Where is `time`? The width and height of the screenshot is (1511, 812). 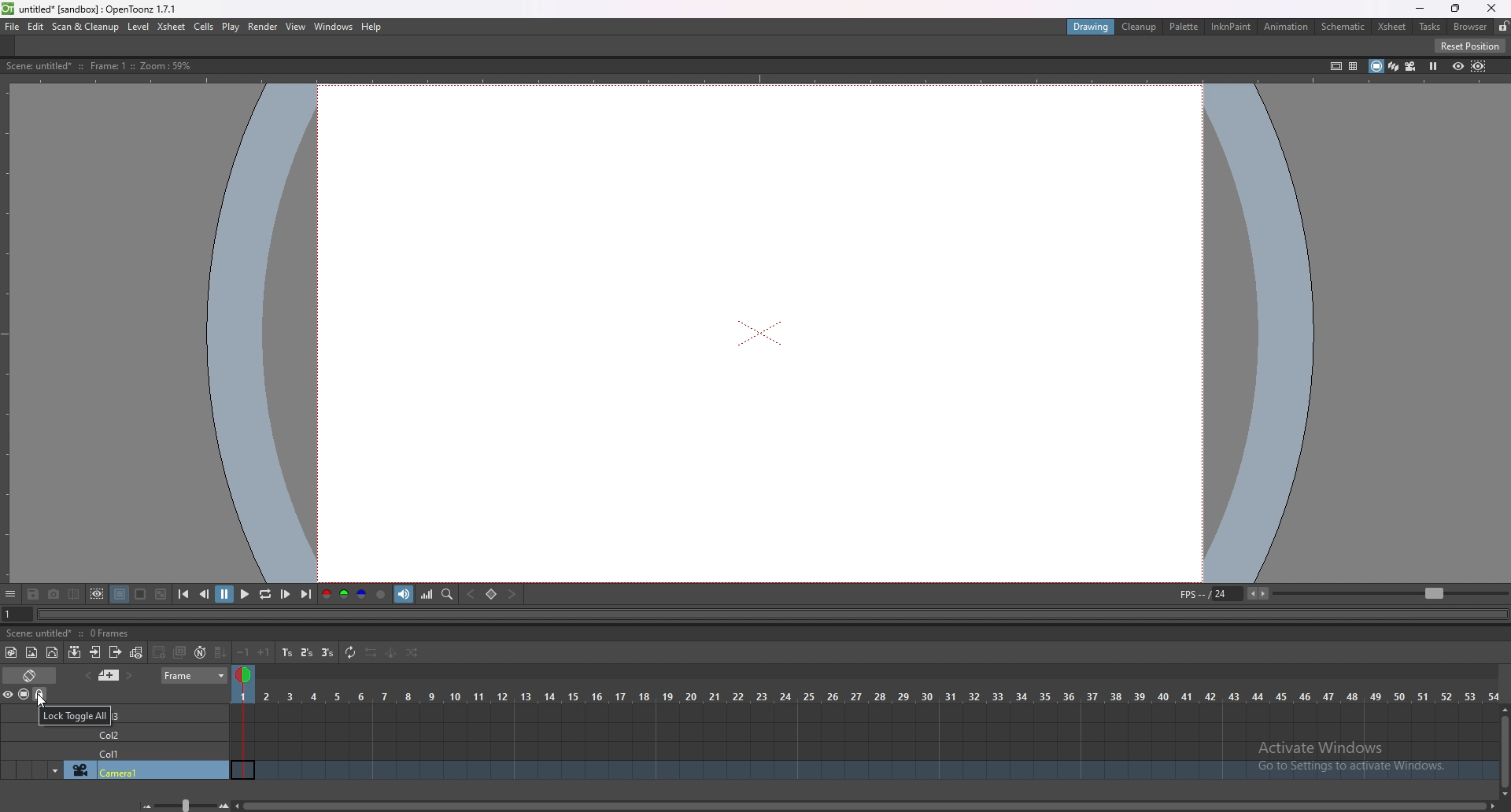
time is located at coordinates (866, 694).